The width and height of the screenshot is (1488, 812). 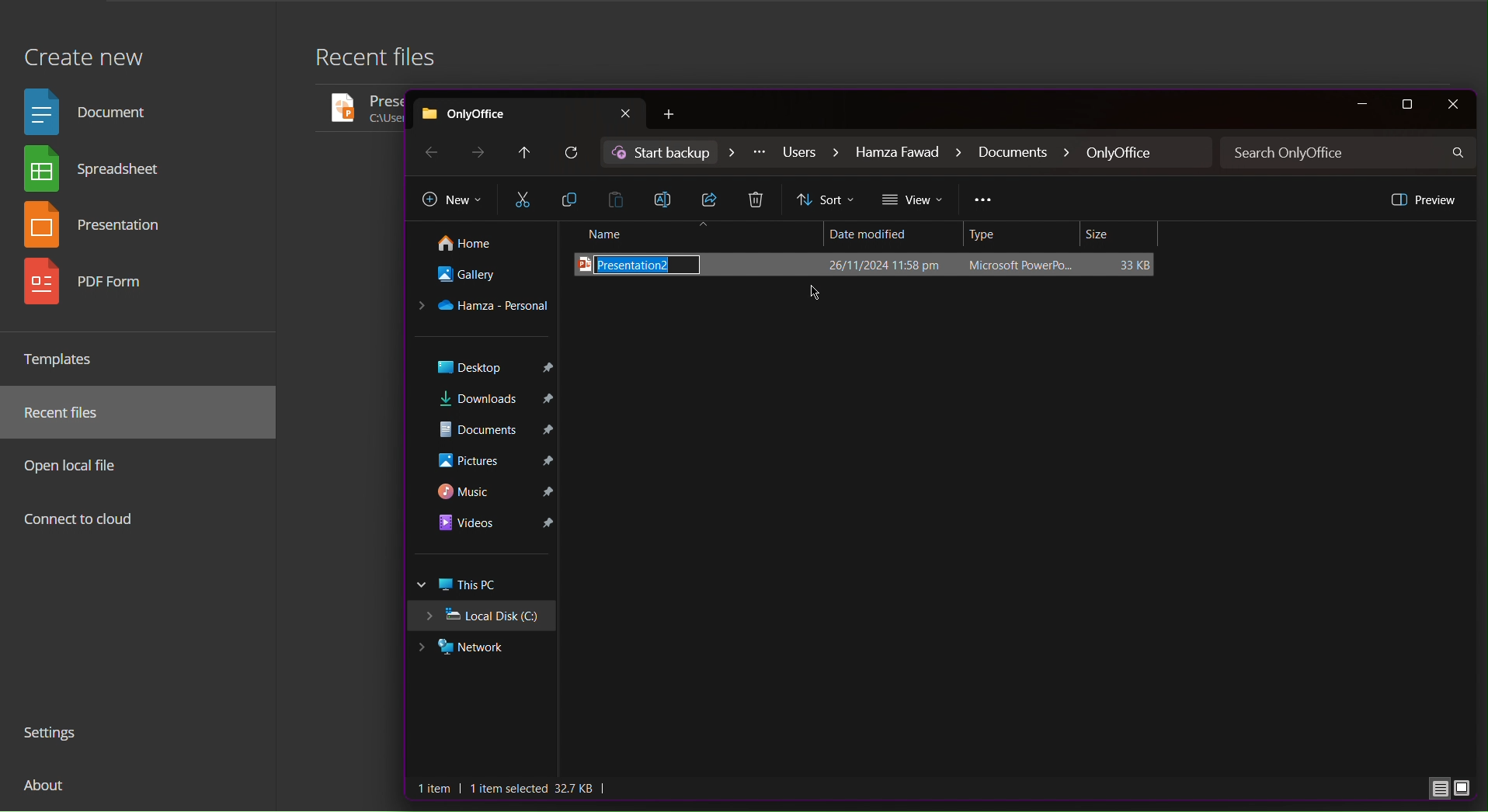 What do you see at coordinates (478, 245) in the screenshot?
I see `Home` at bounding box center [478, 245].